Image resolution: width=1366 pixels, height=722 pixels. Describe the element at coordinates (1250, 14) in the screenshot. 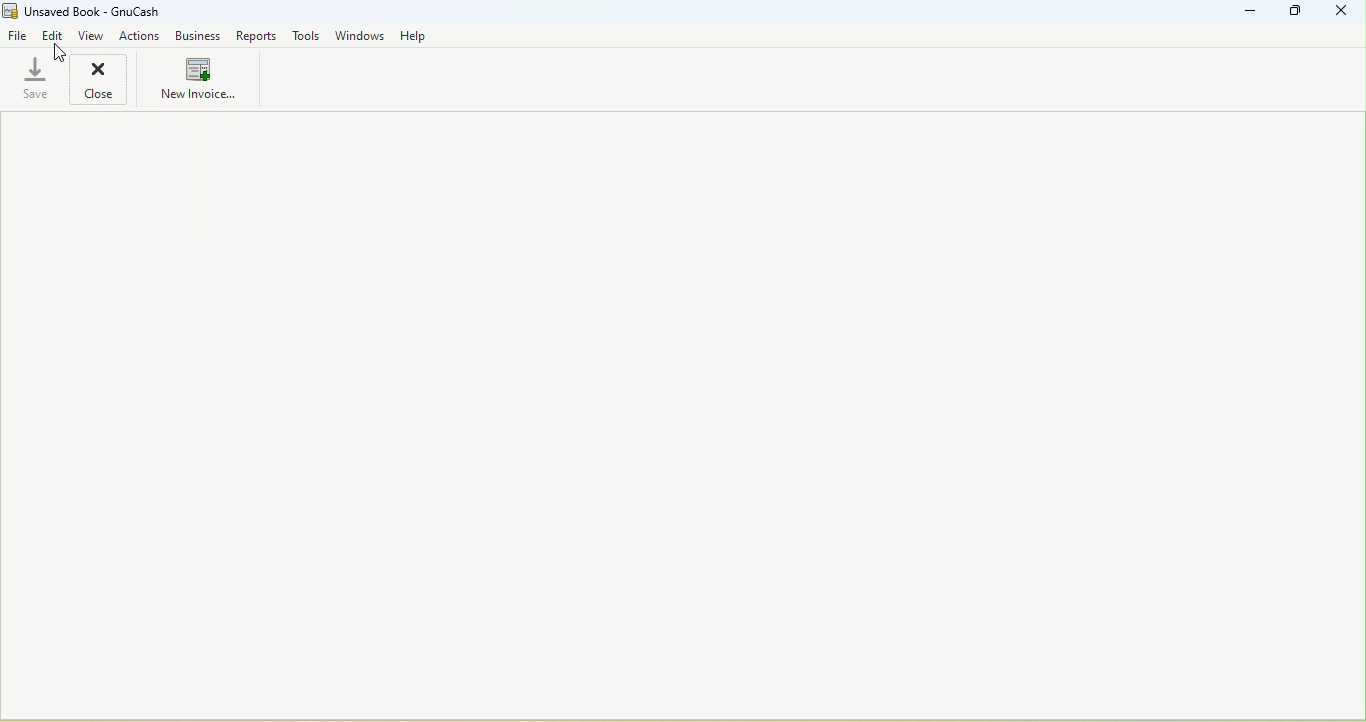

I see `Minimize` at that location.